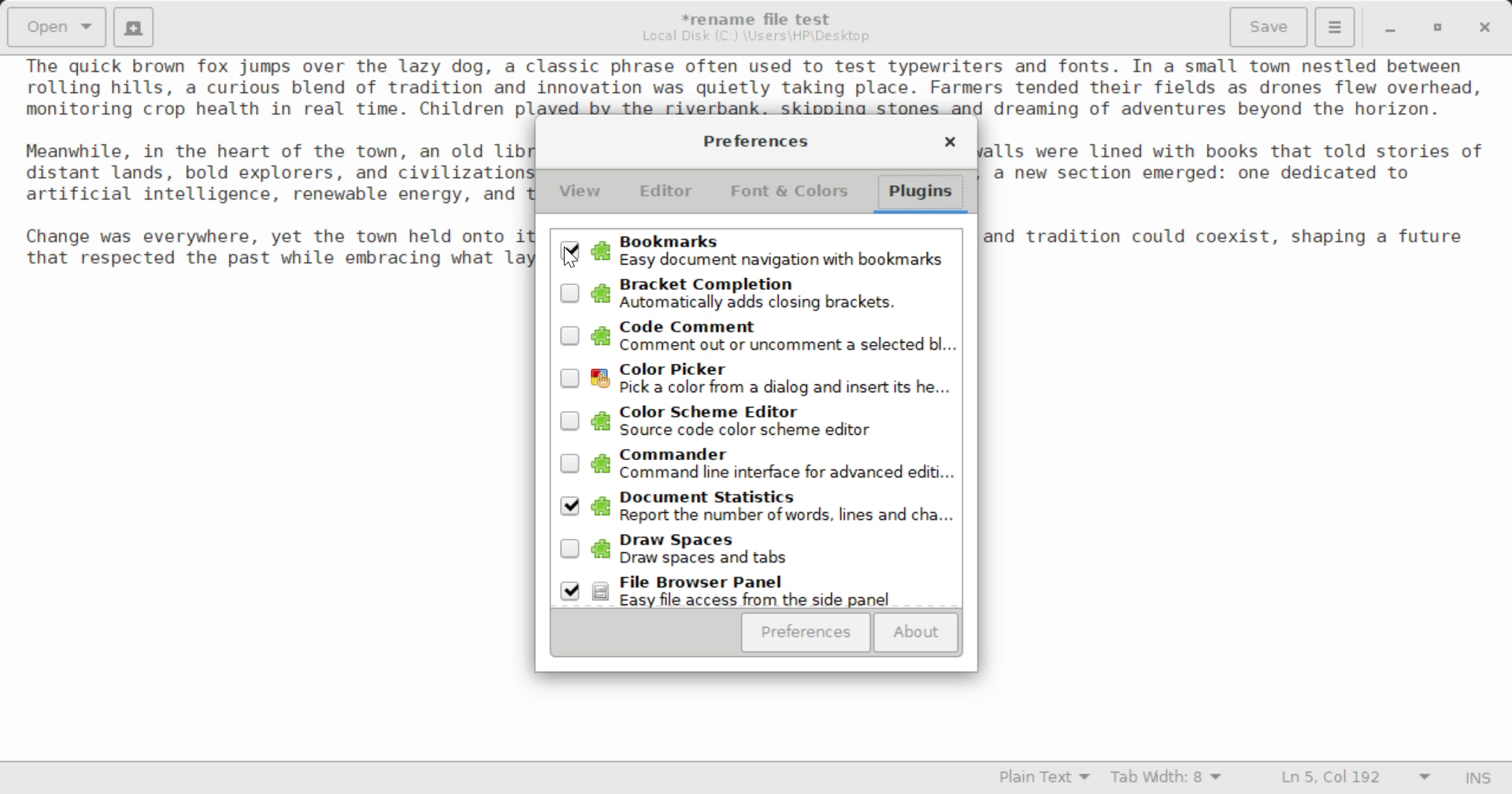  What do you see at coordinates (132, 25) in the screenshot?
I see `Create New Document` at bounding box center [132, 25].